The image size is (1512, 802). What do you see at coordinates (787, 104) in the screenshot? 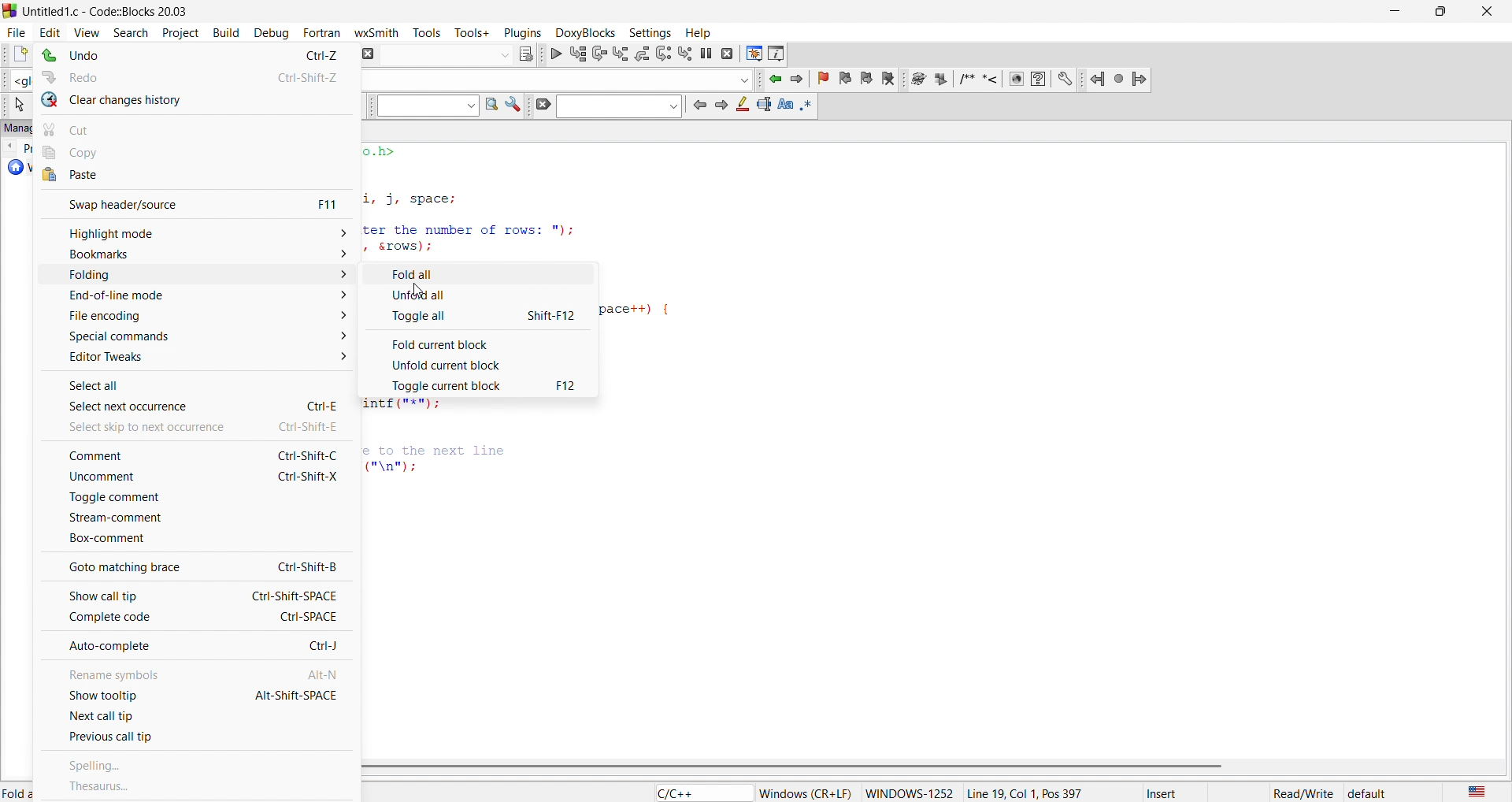
I see `match text` at bounding box center [787, 104].